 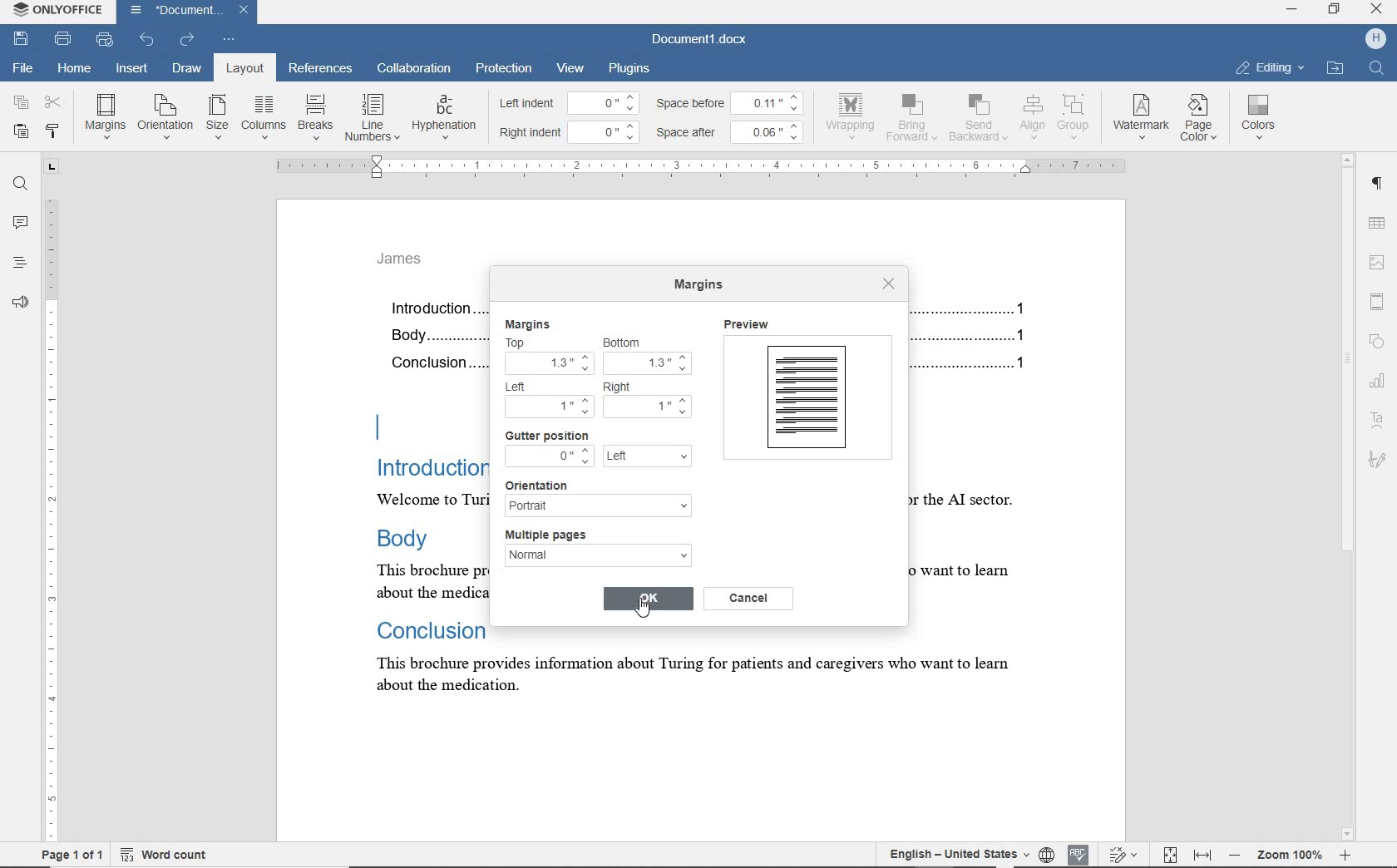 What do you see at coordinates (597, 506) in the screenshot?
I see `portrait` at bounding box center [597, 506].